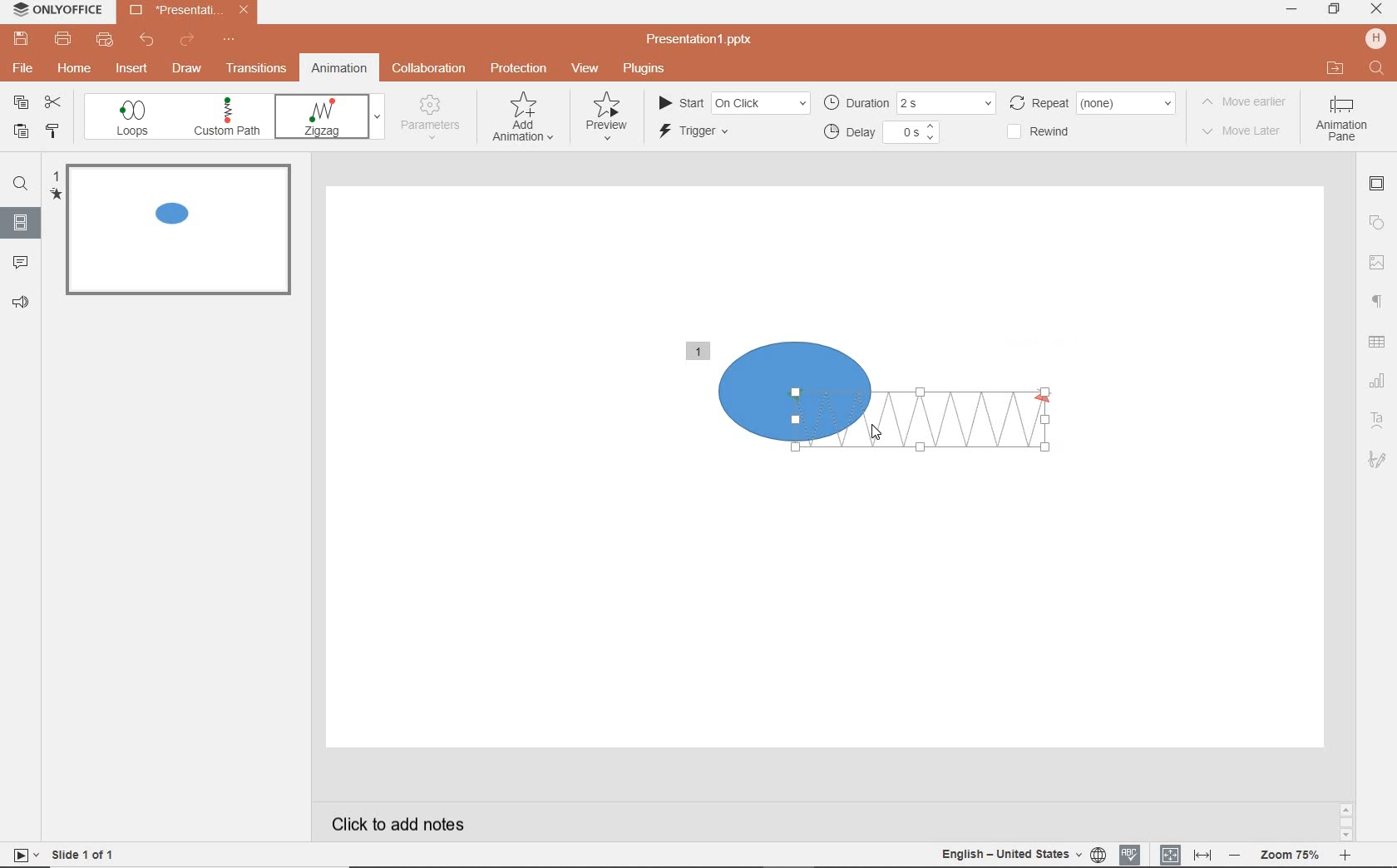  What do you see at coordinates (148, 42) in the screenshot?
I see `undo` at bounding box center [148, 42].